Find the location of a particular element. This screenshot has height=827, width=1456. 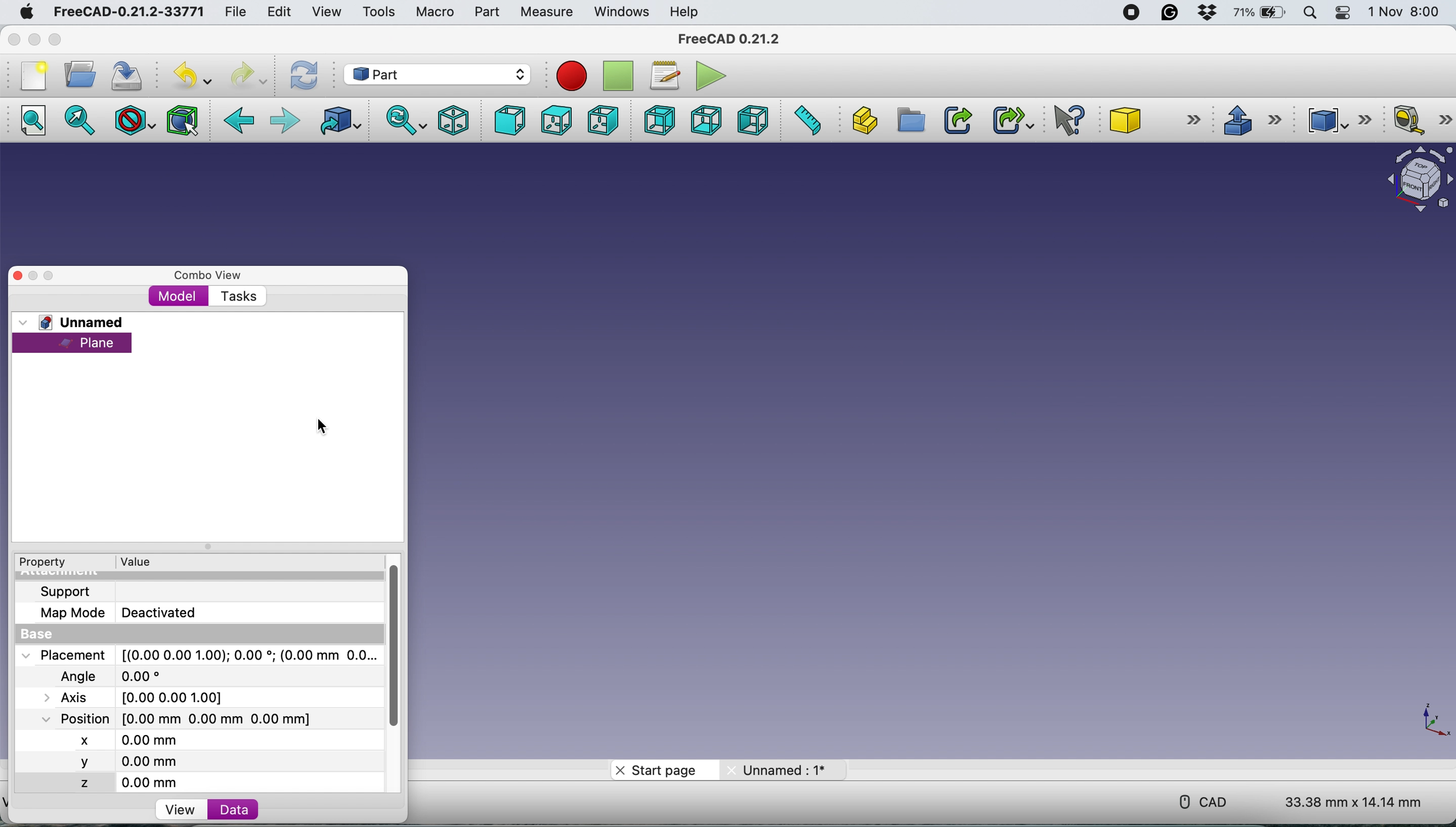

Property is located at coordinates (45, 555).